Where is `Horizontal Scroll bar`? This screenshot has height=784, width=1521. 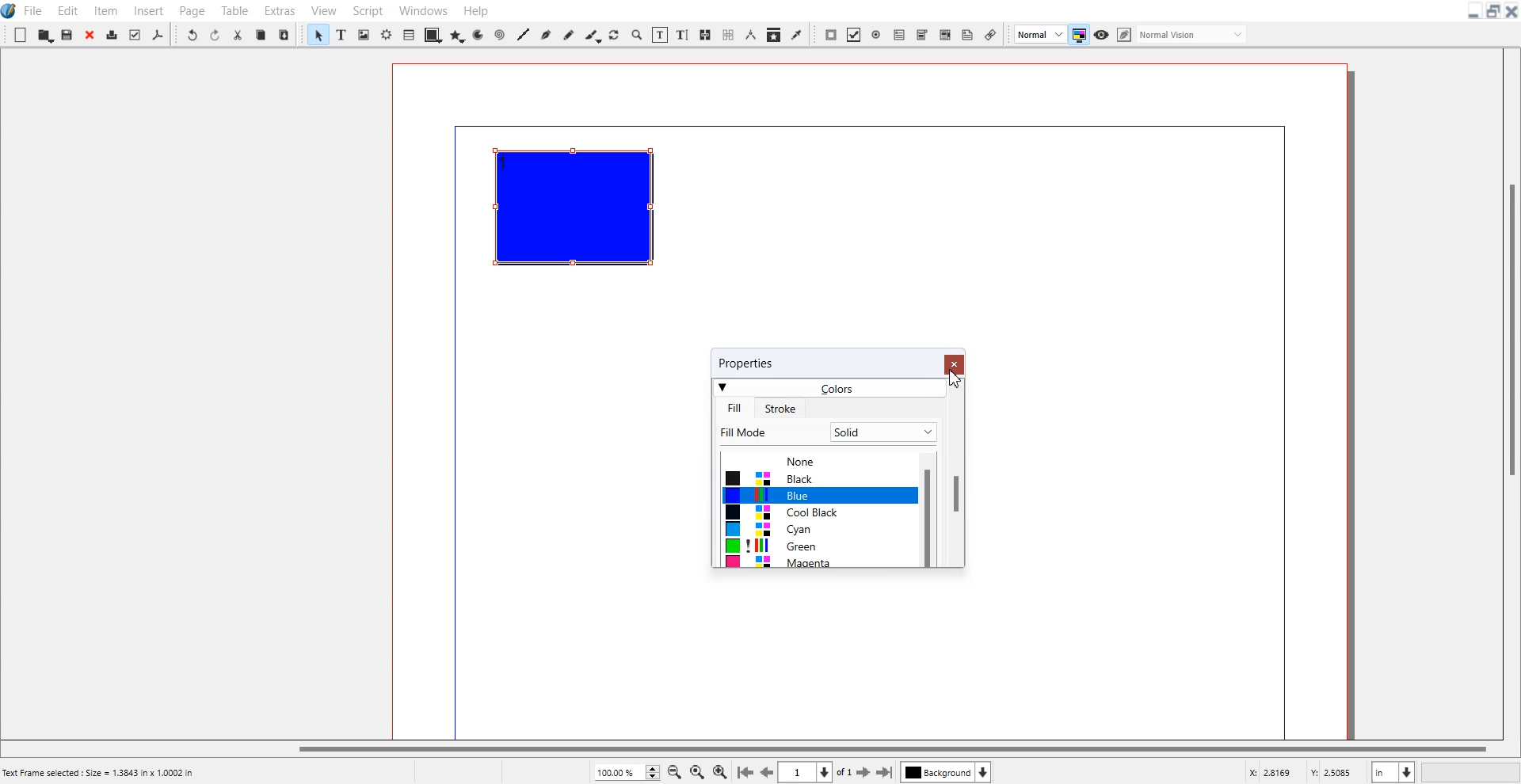
Horizontal Scroll bar is located at coordinates (748, 750).